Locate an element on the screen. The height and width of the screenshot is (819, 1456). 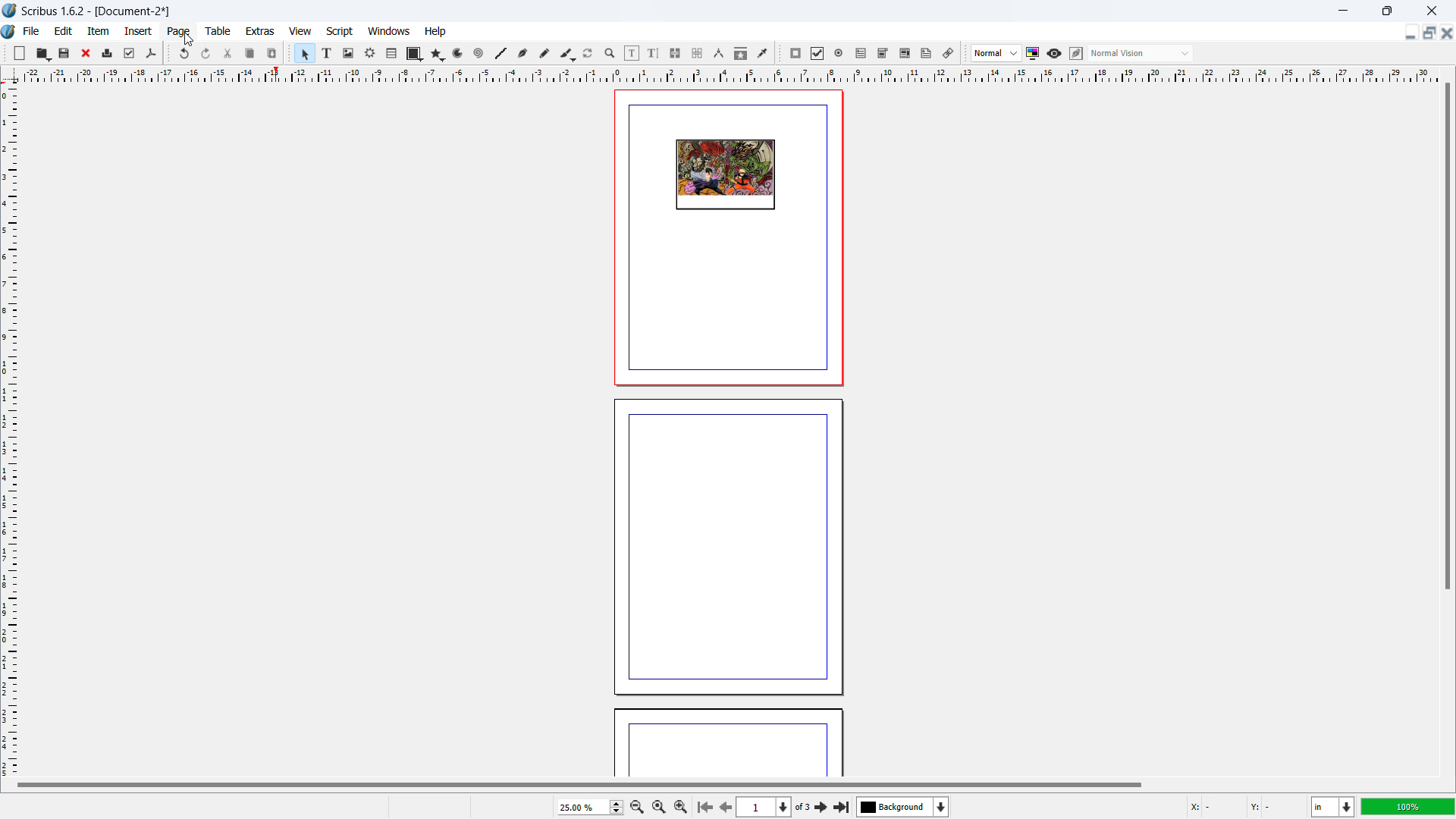
logo is located at coordinates (9, 33).